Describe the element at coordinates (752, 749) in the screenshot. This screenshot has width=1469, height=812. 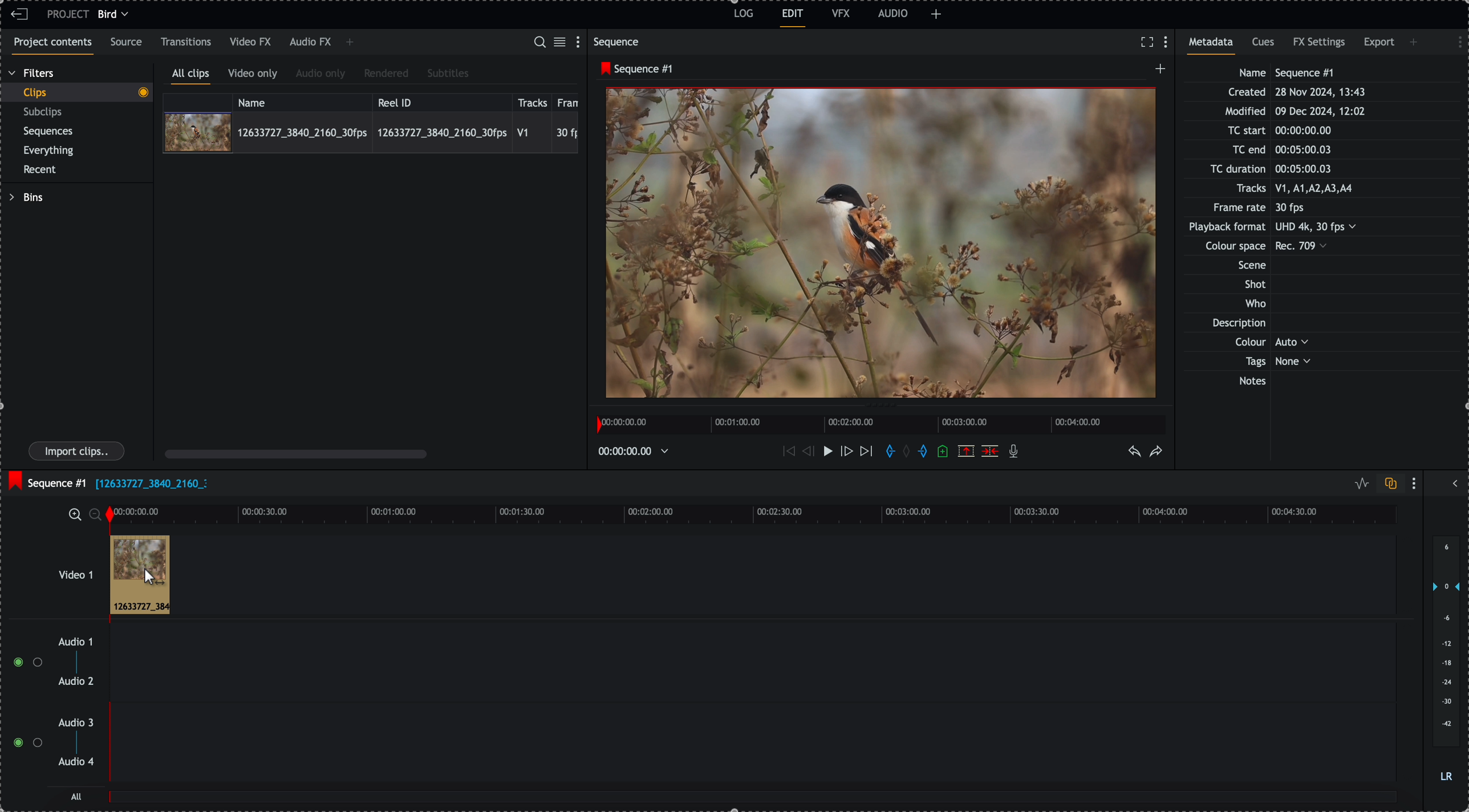
I see `track audio` at that location.